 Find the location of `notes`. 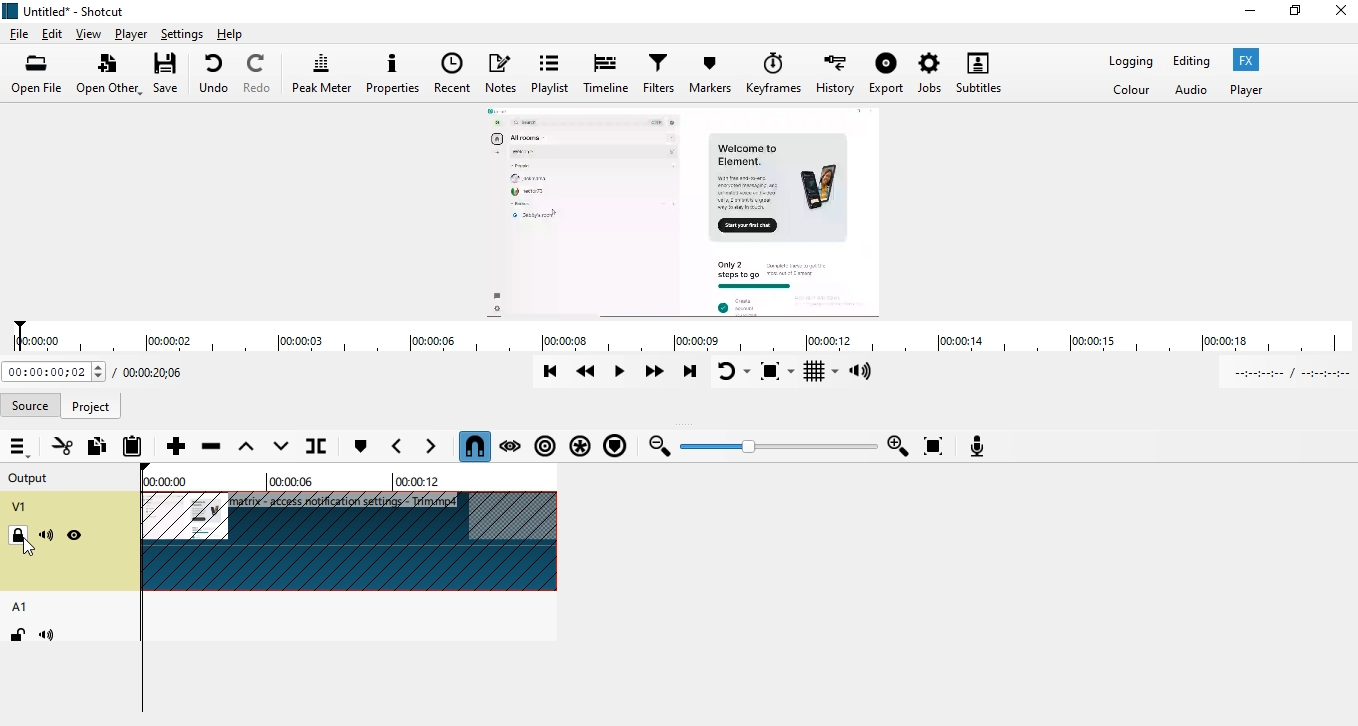

notes is located at coordinates (505, 72).